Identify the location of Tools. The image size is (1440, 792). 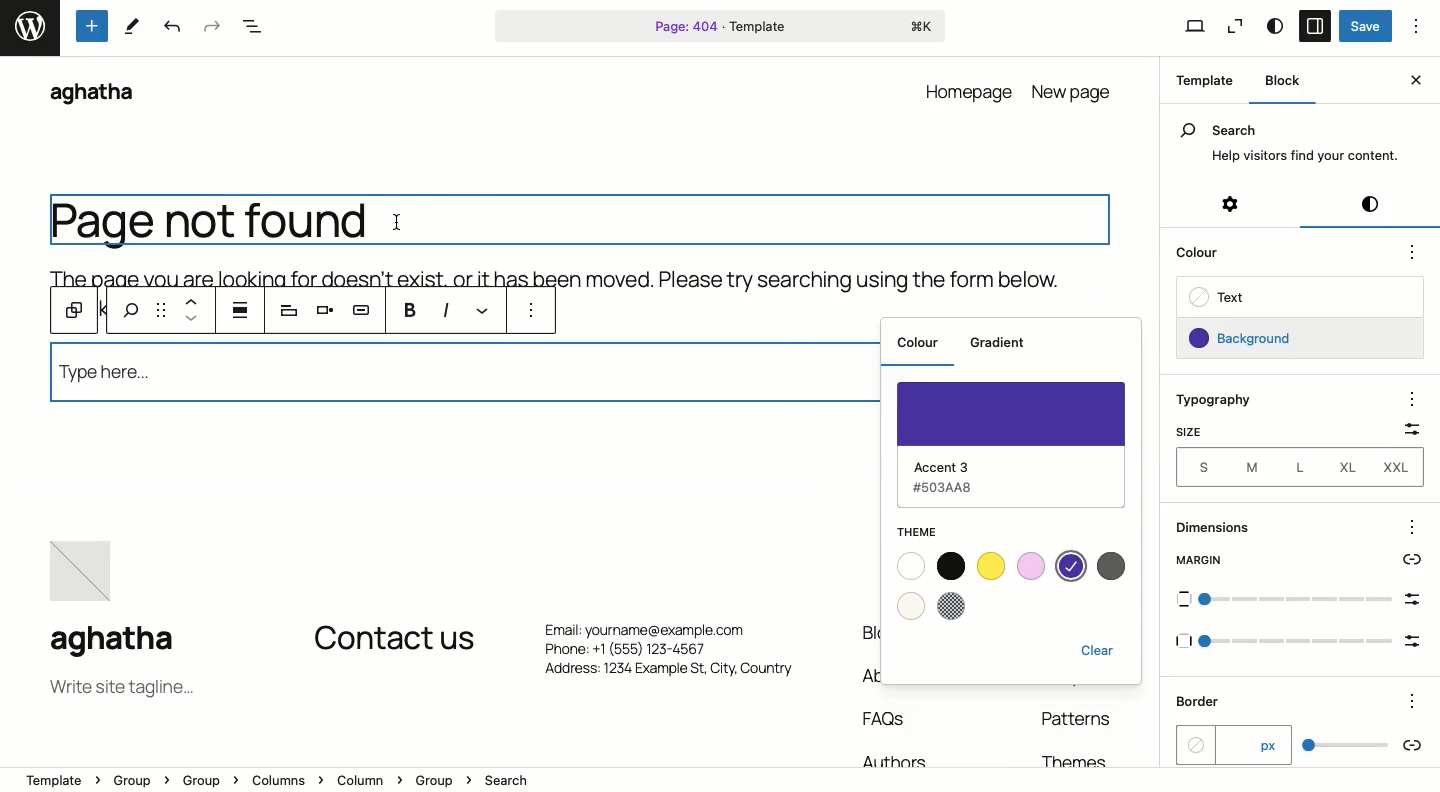
(93, 25).